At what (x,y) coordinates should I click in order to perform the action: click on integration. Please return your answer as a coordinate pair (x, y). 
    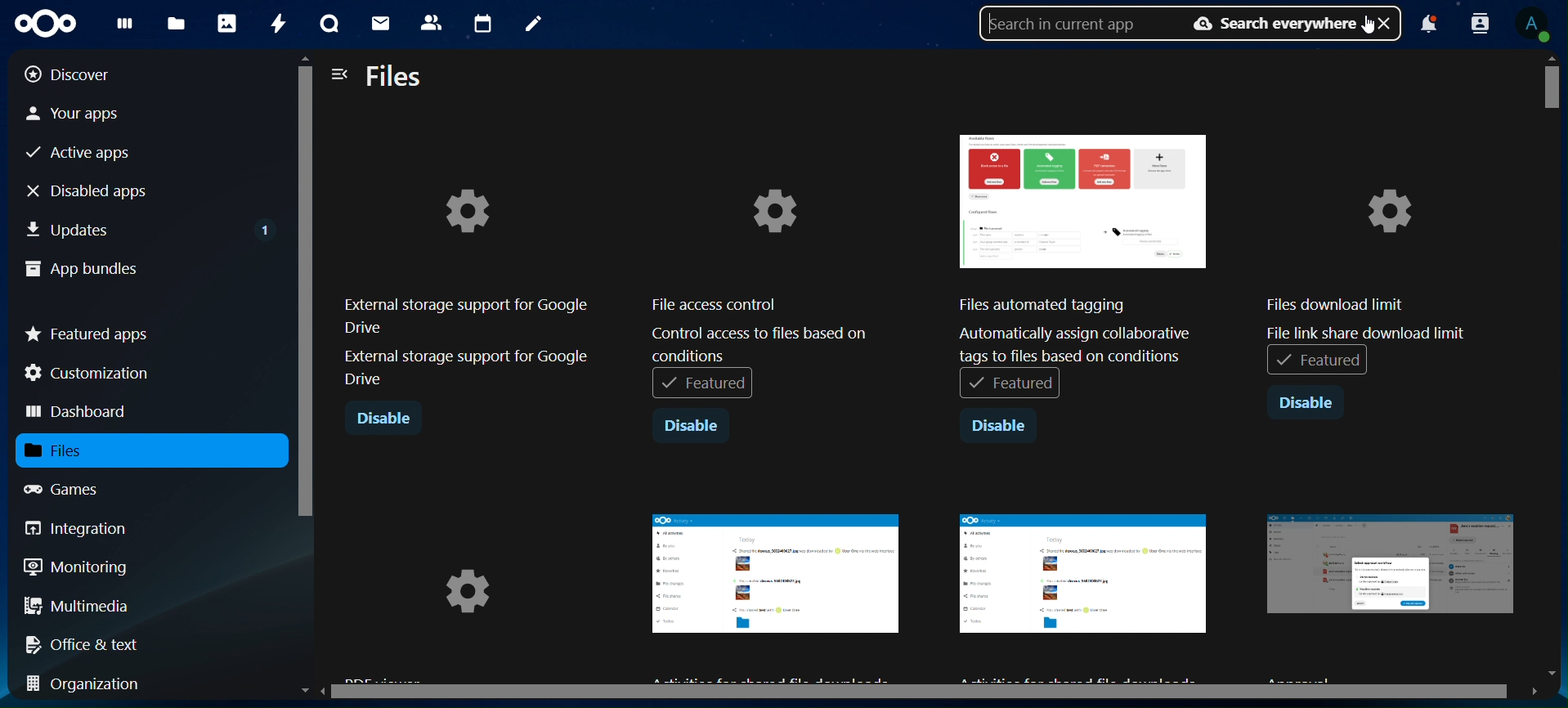
    Looking at the image, I should click on (88, 528).